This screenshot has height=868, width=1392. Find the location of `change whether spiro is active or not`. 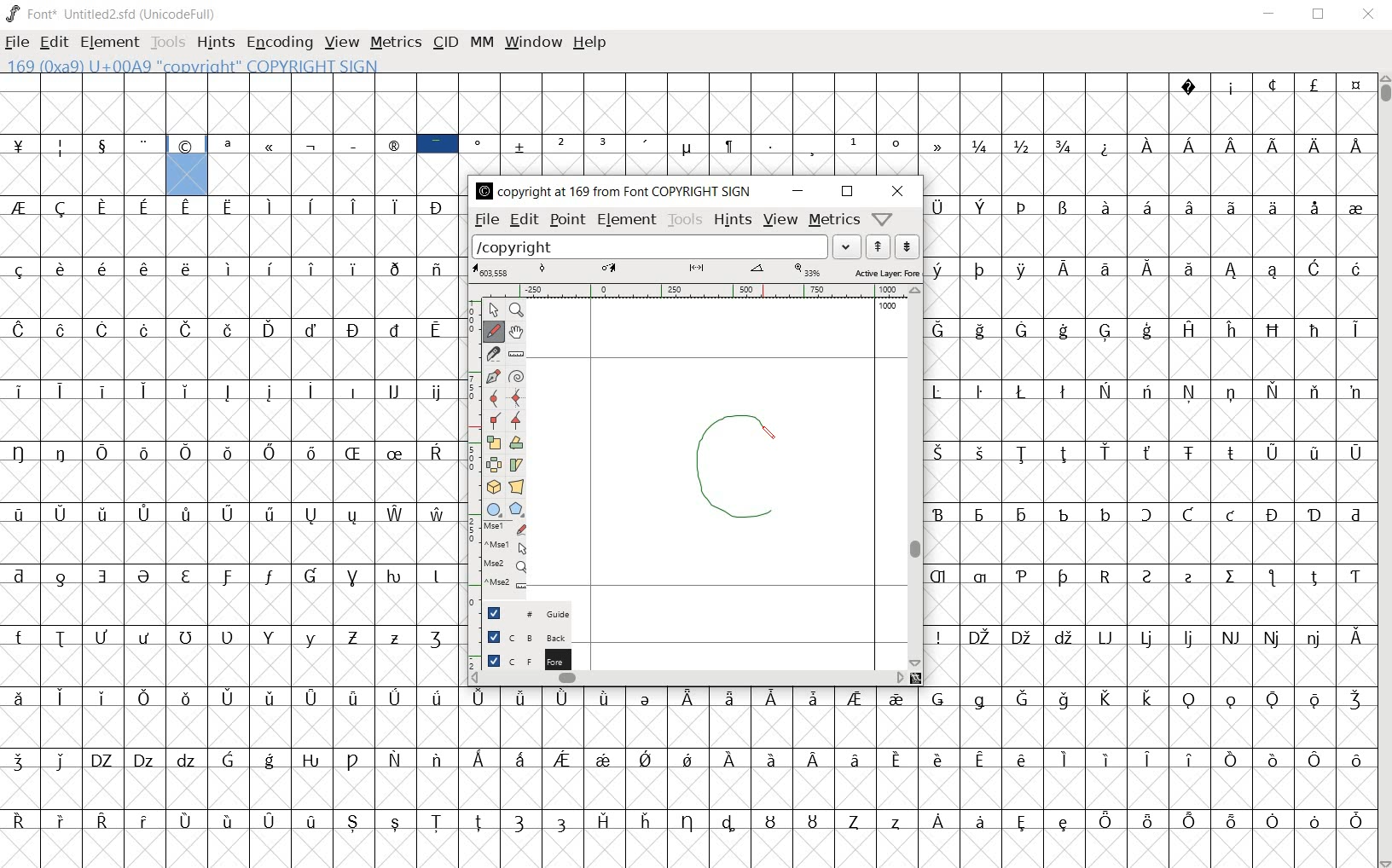

change whether spiro is active or not is located at coordinates (517, 376).